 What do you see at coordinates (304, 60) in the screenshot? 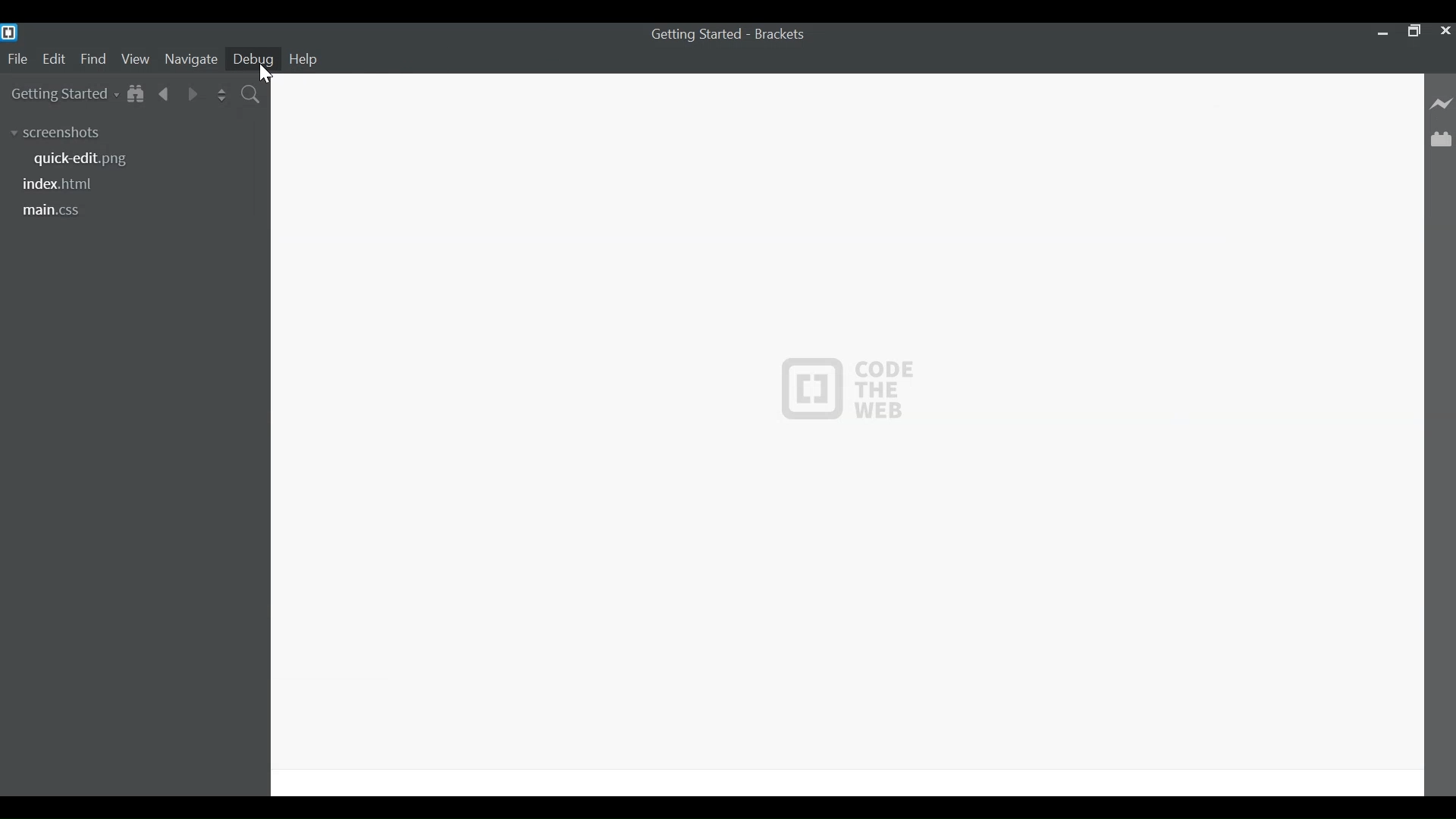
I see `Help` at bounding box center [304, 60].